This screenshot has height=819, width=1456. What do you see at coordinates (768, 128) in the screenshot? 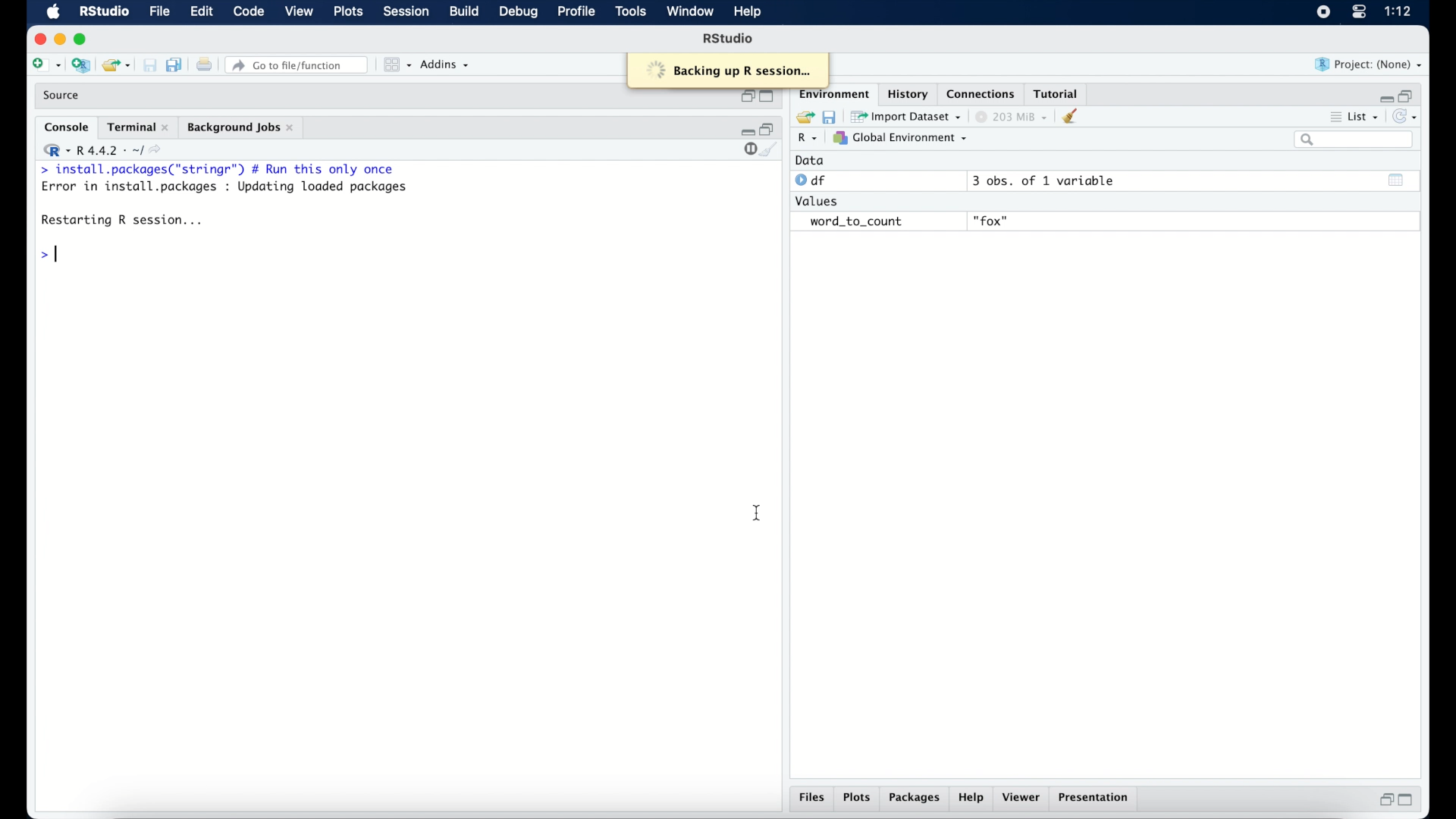
I see `restore down` at bounding box center [768, 128].